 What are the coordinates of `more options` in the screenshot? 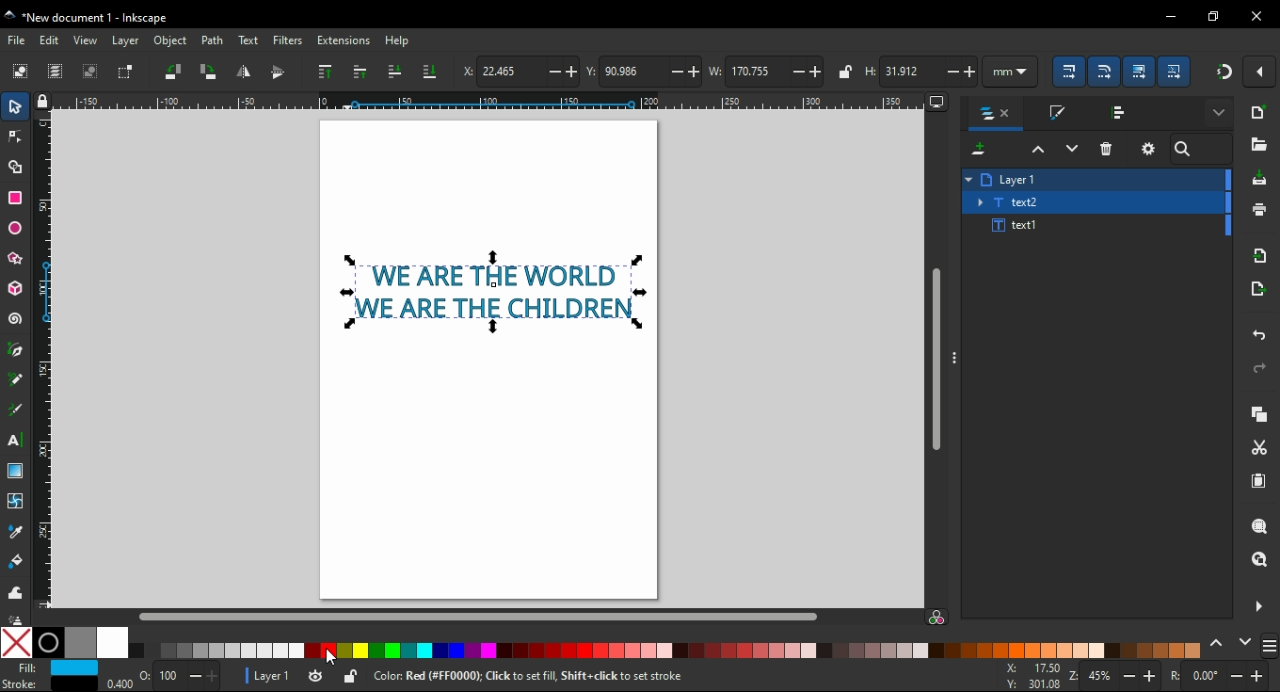 It's located at (953, 356).